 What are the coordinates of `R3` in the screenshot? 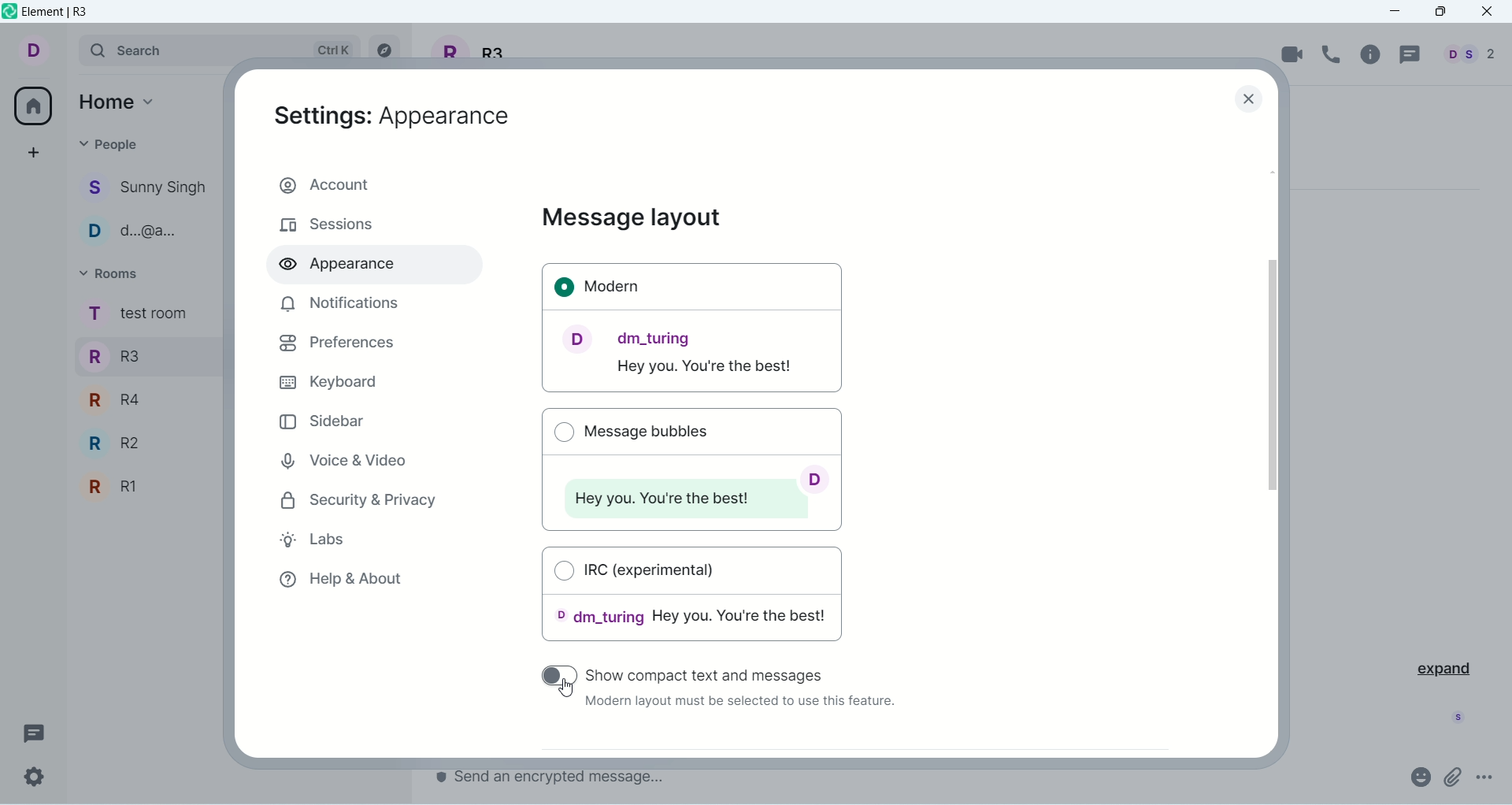 It's located at (144, 354).